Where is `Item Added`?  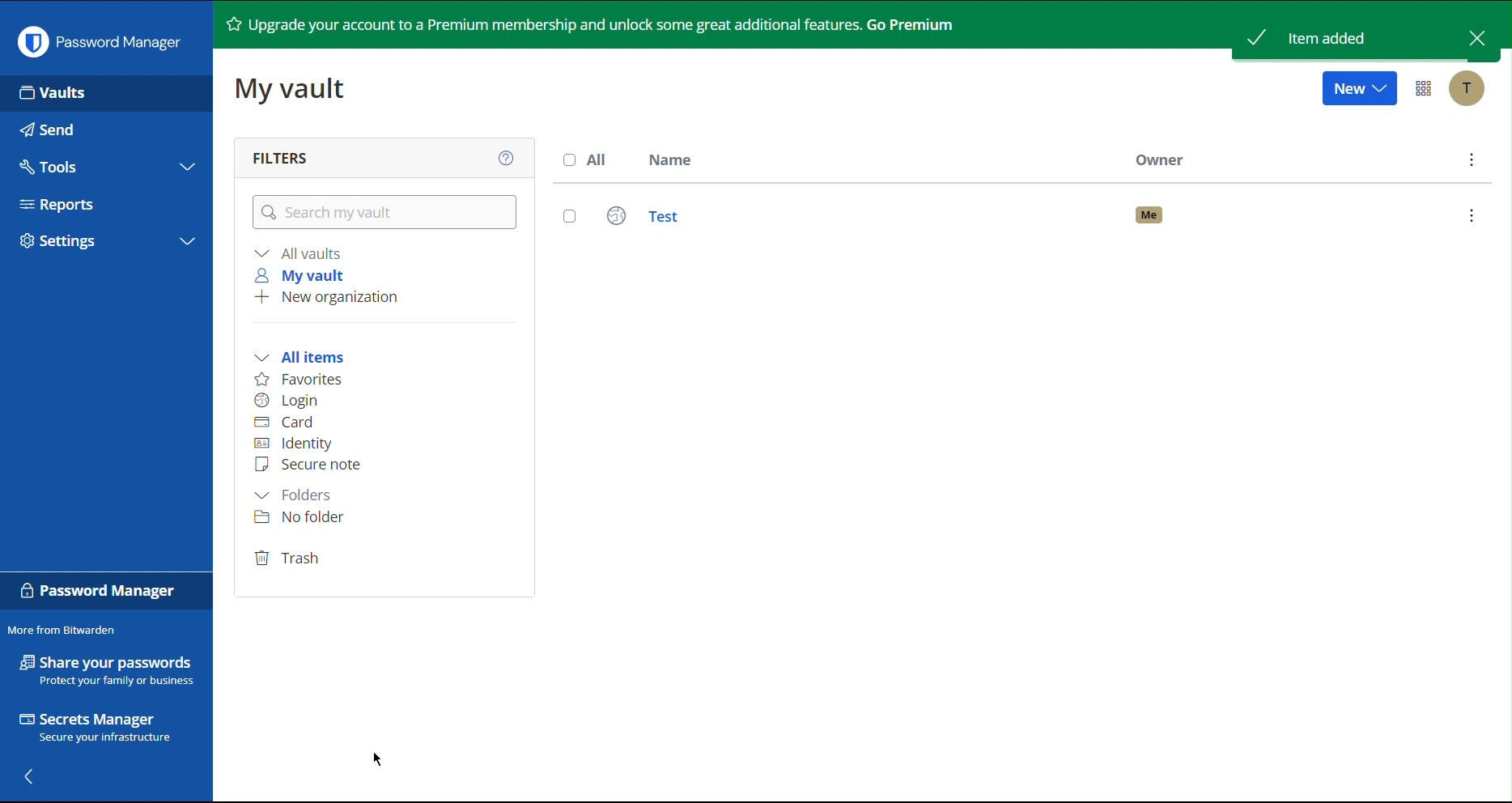 Item Added is located at coordinates (1370, 40).